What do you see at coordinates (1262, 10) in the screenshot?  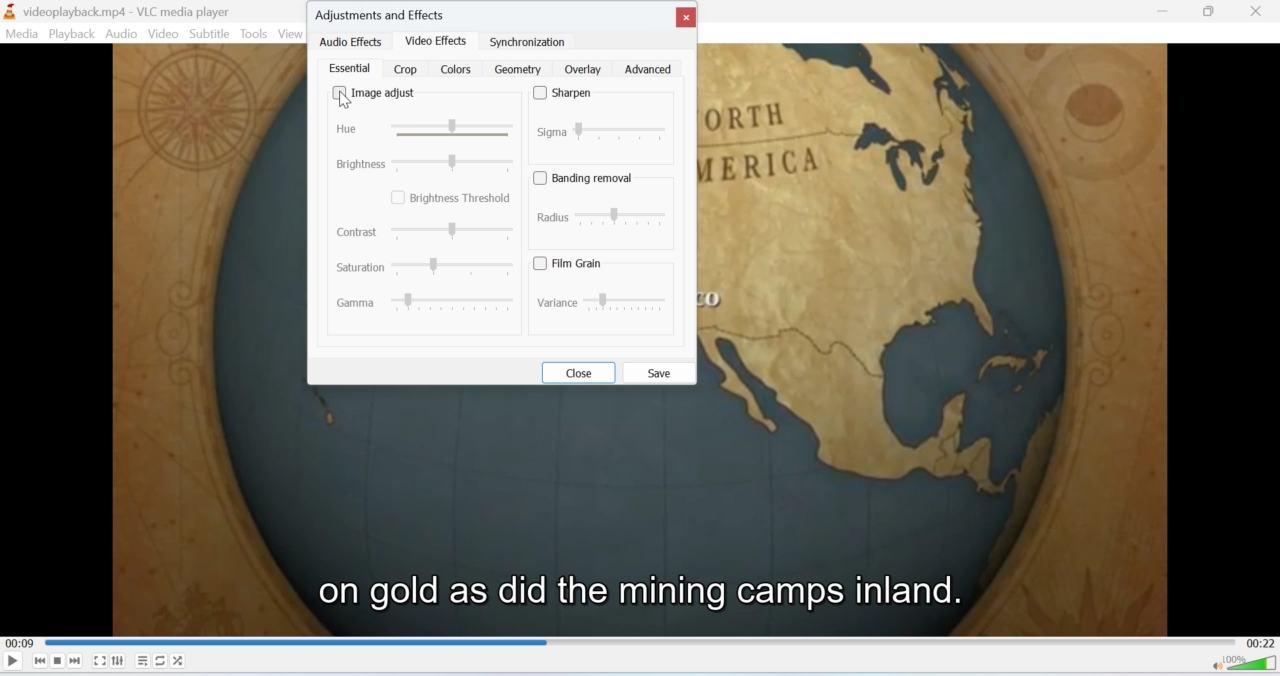 I see `Close` at bounding box center [1262, 10].